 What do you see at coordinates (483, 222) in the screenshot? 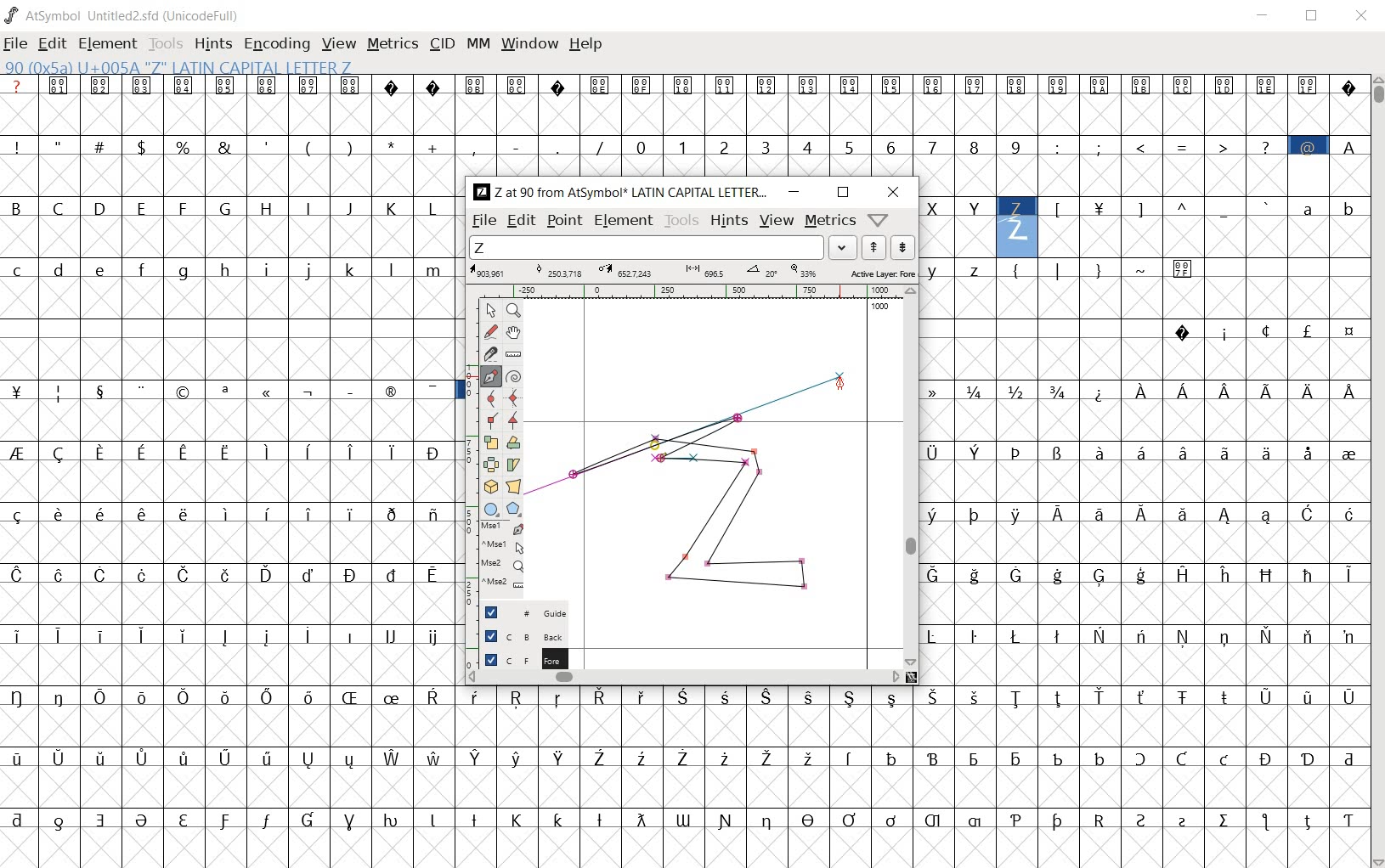
I see `file` at bounding box center [483, 222].